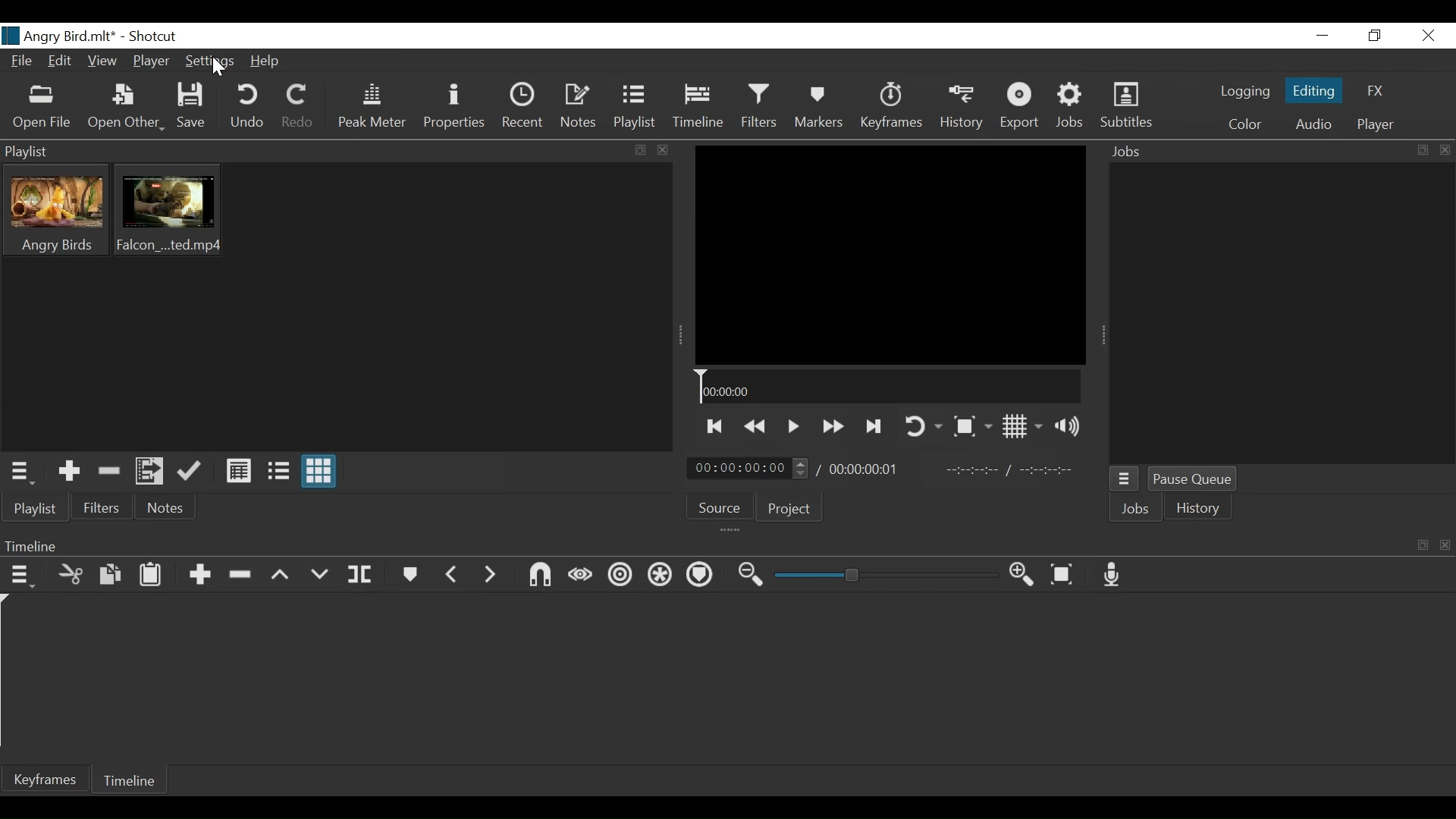 The width and height of the screenshot is (1456, 819). What do you see at coordinates (872, 428) in the screenshot?
I see `Skip to the next point` at bounding box center [872, 428].